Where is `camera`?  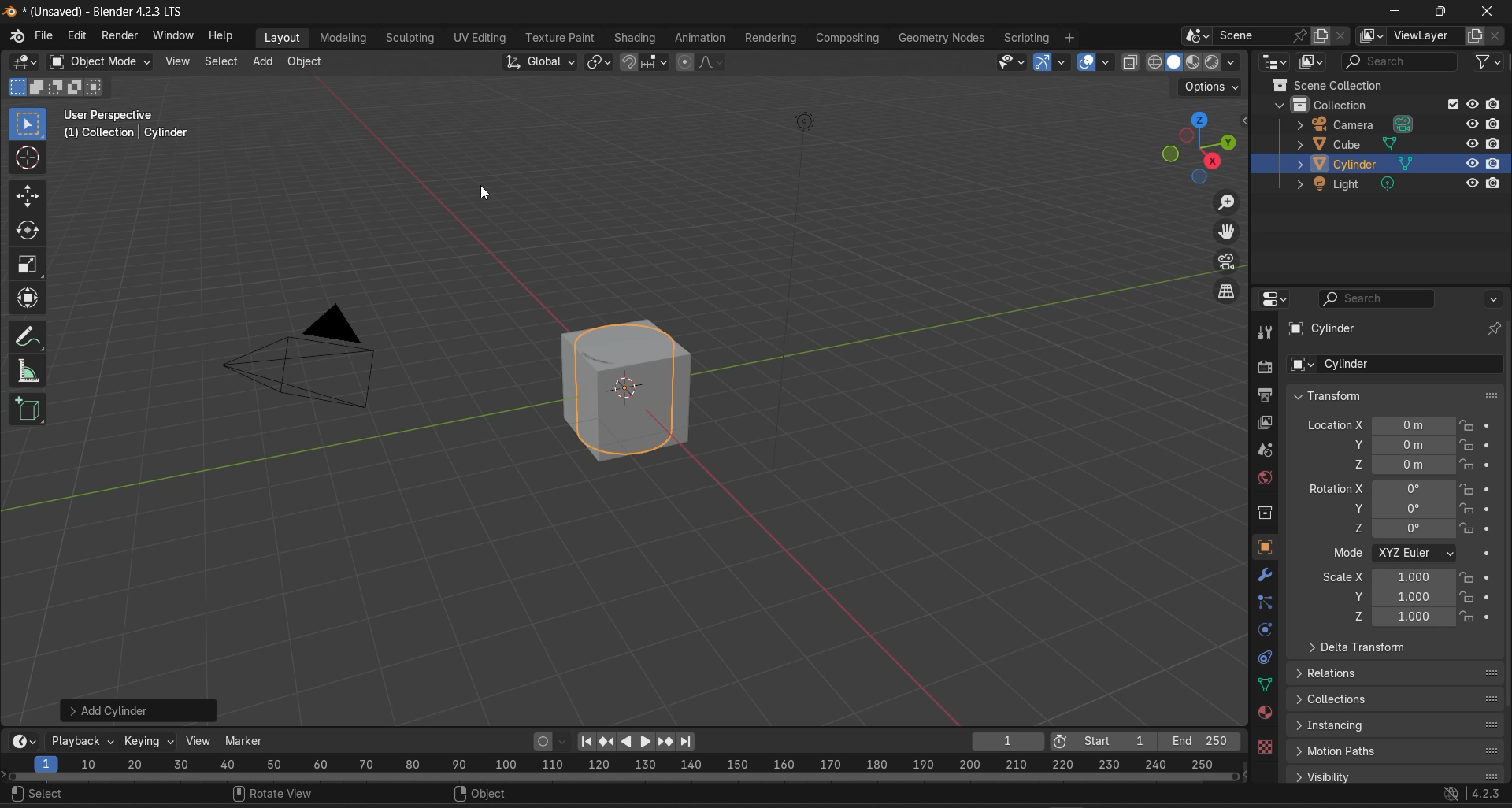
camera is located at coordinates (802, 293).